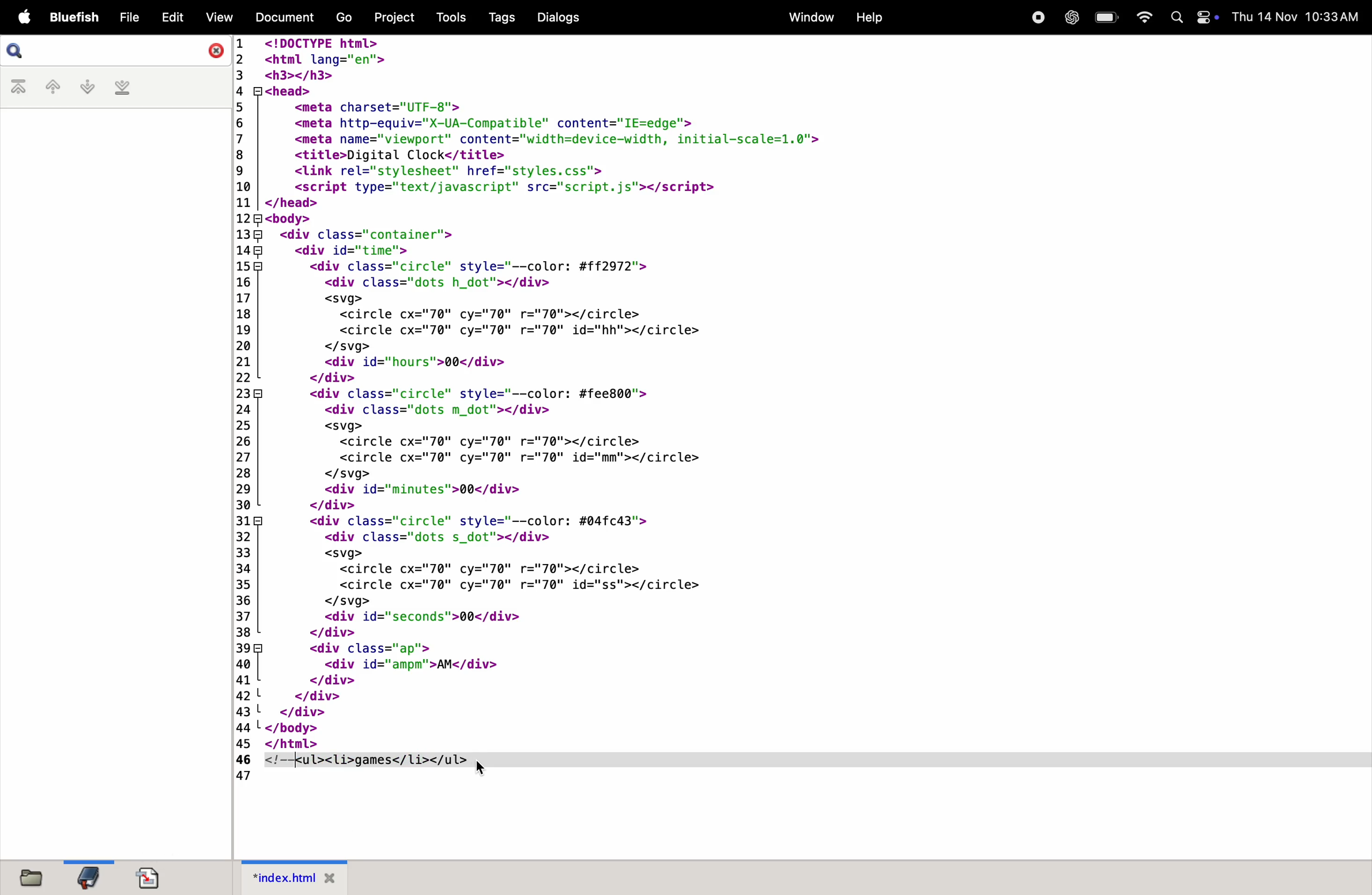 Image resolution: width=1372 pixels, height=895 pixels. I want to click on close, so click(212, 52).